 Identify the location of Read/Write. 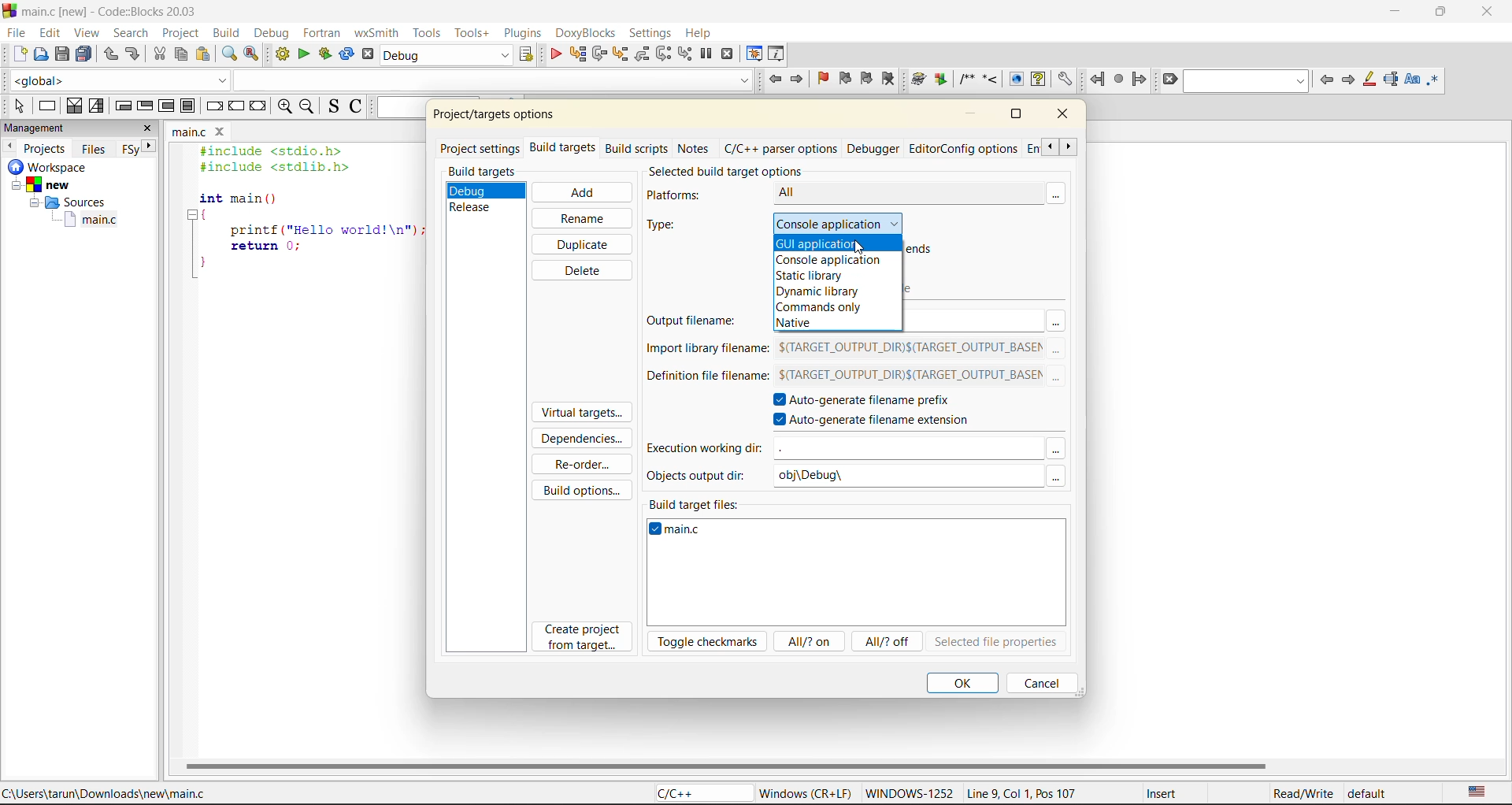
(1301, 792).